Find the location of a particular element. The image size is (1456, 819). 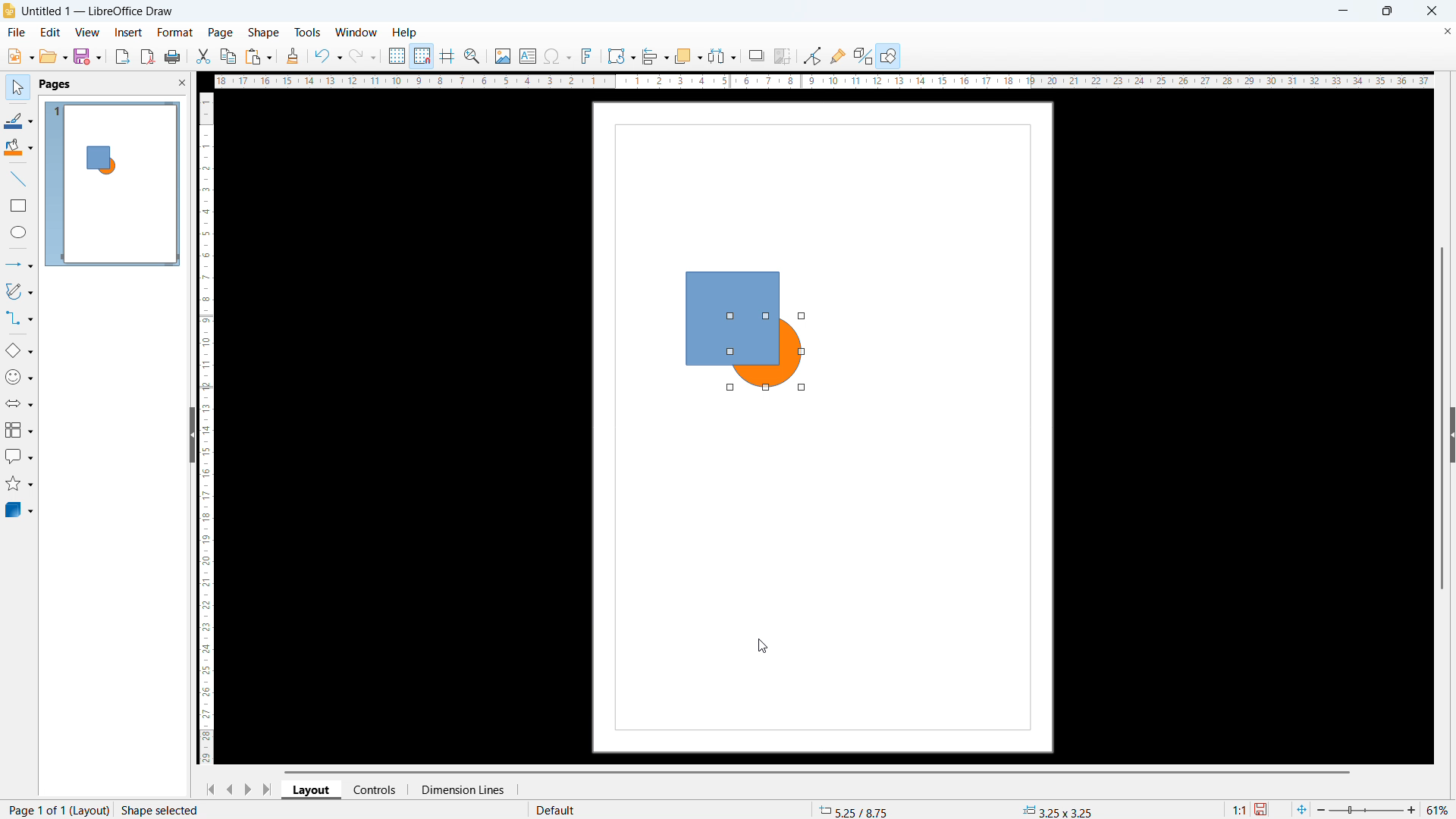

expand pane is located at coordinates (1451, 437).